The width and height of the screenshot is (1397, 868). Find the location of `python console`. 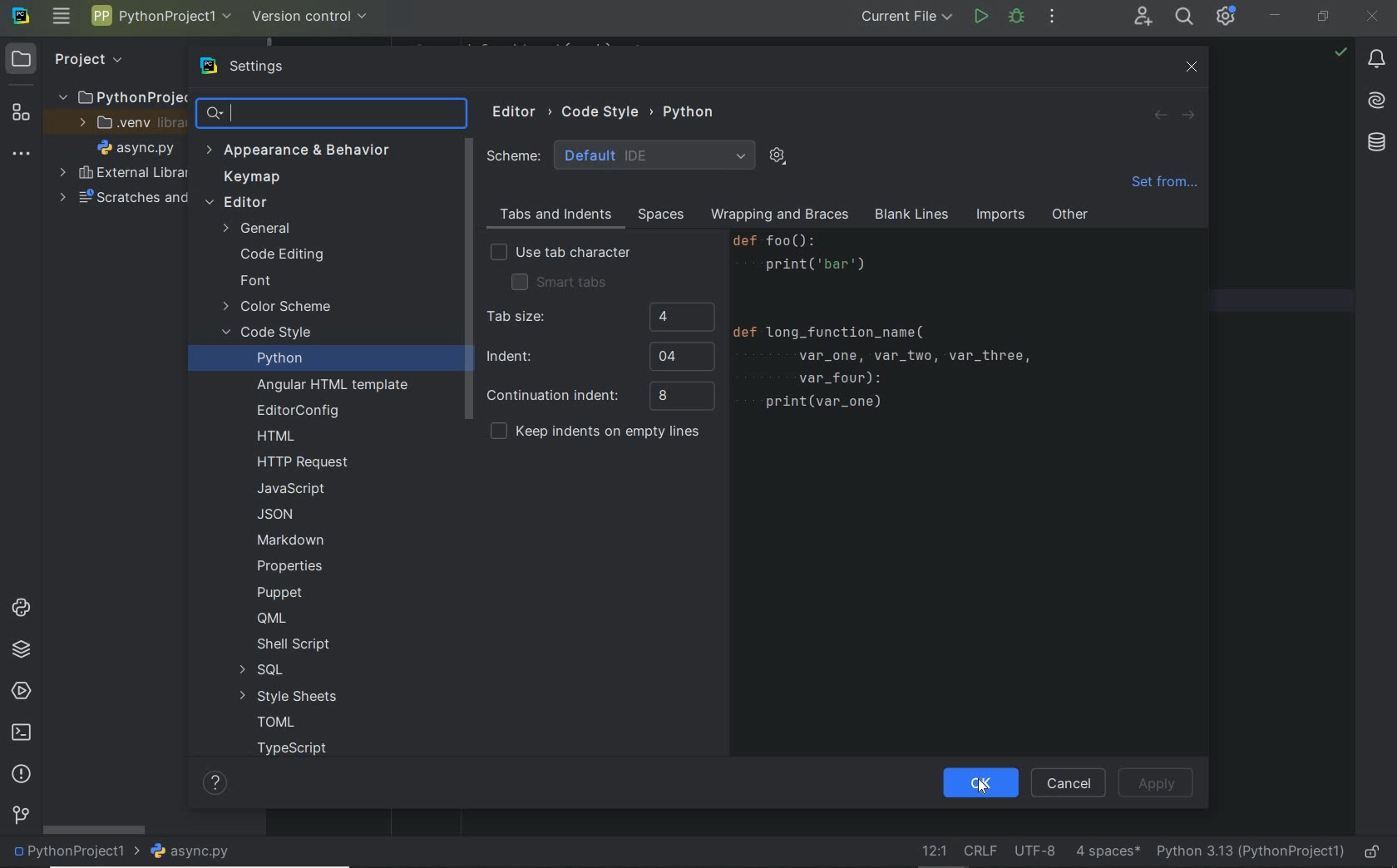

python console is located at coordinates (24, 609).